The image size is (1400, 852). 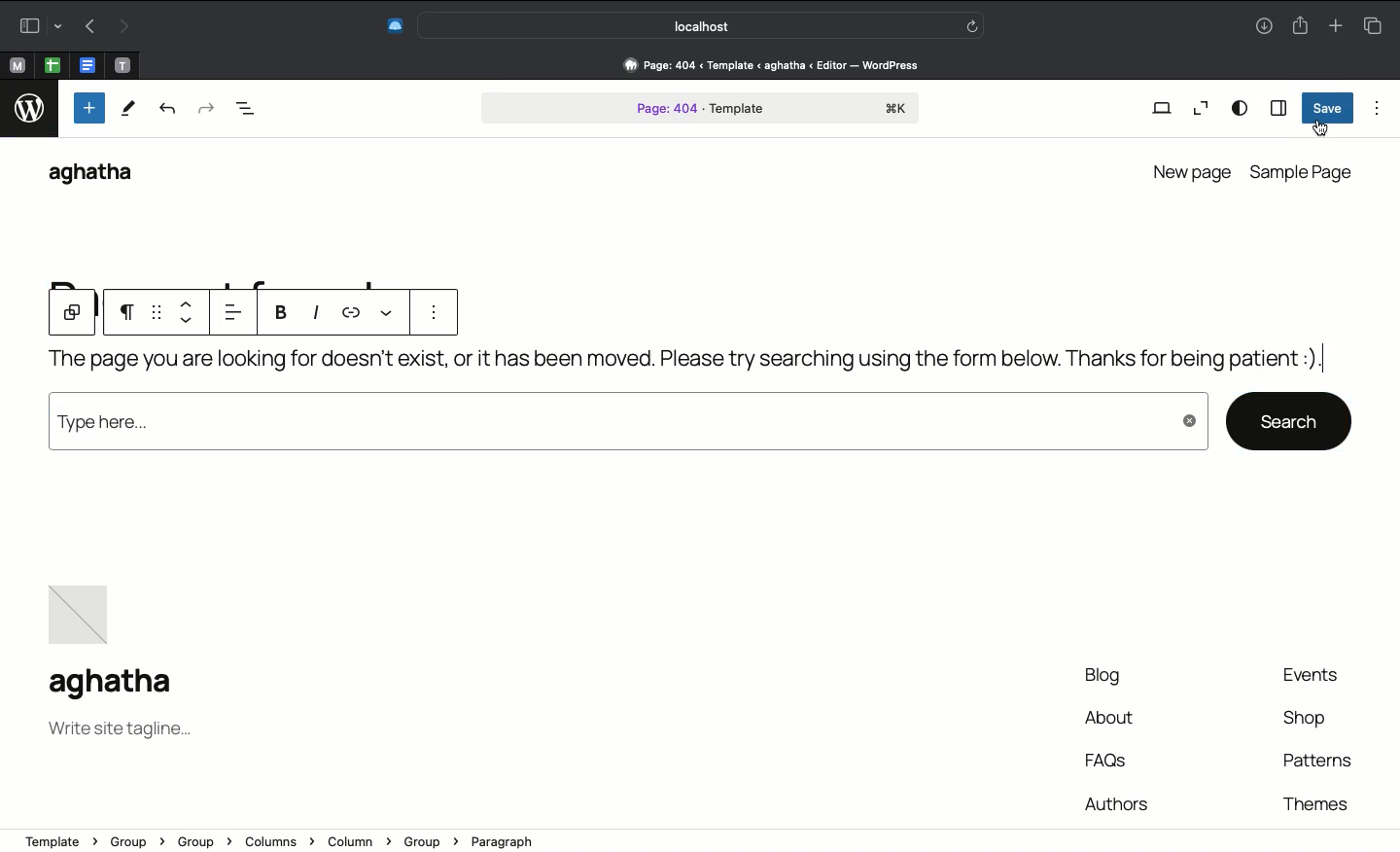 I want to click on Search bar, so click(x=703, y=24).